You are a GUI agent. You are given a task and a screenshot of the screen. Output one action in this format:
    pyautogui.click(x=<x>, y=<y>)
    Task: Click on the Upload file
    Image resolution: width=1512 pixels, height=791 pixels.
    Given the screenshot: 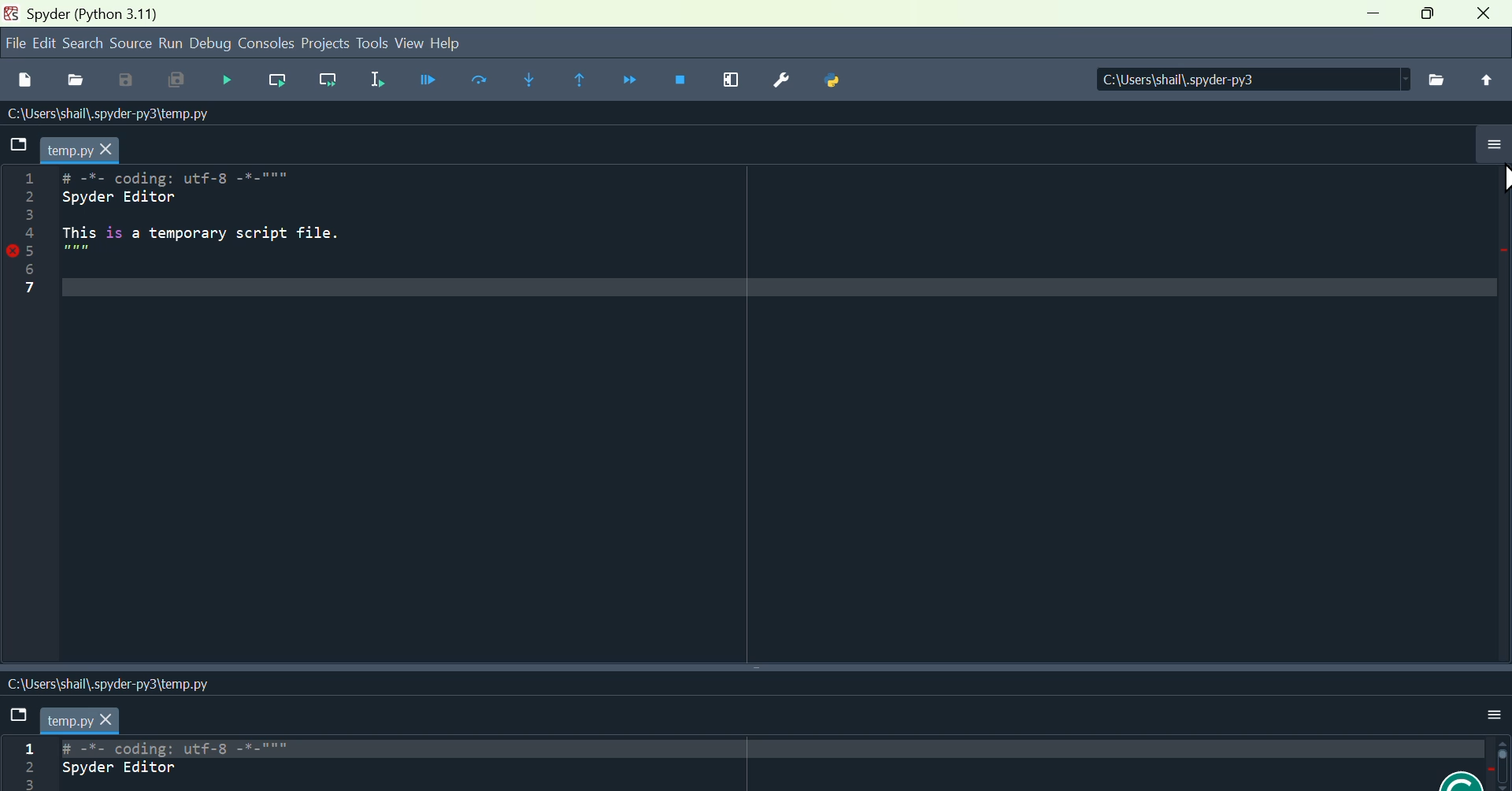 What is the action you would take?
    pyautogui.click(x=1484, y=84)
    